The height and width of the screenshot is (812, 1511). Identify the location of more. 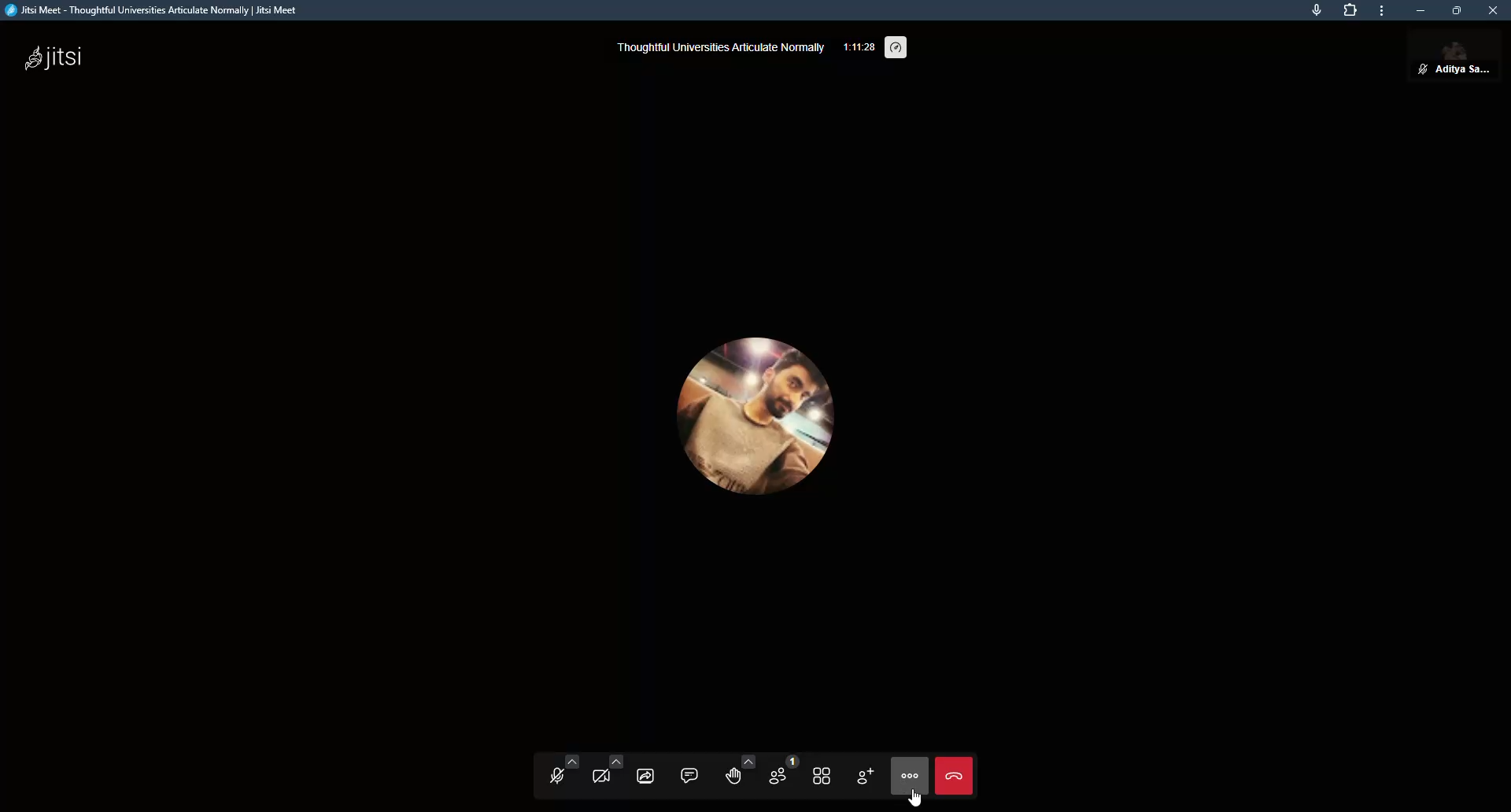
(1380, 13).